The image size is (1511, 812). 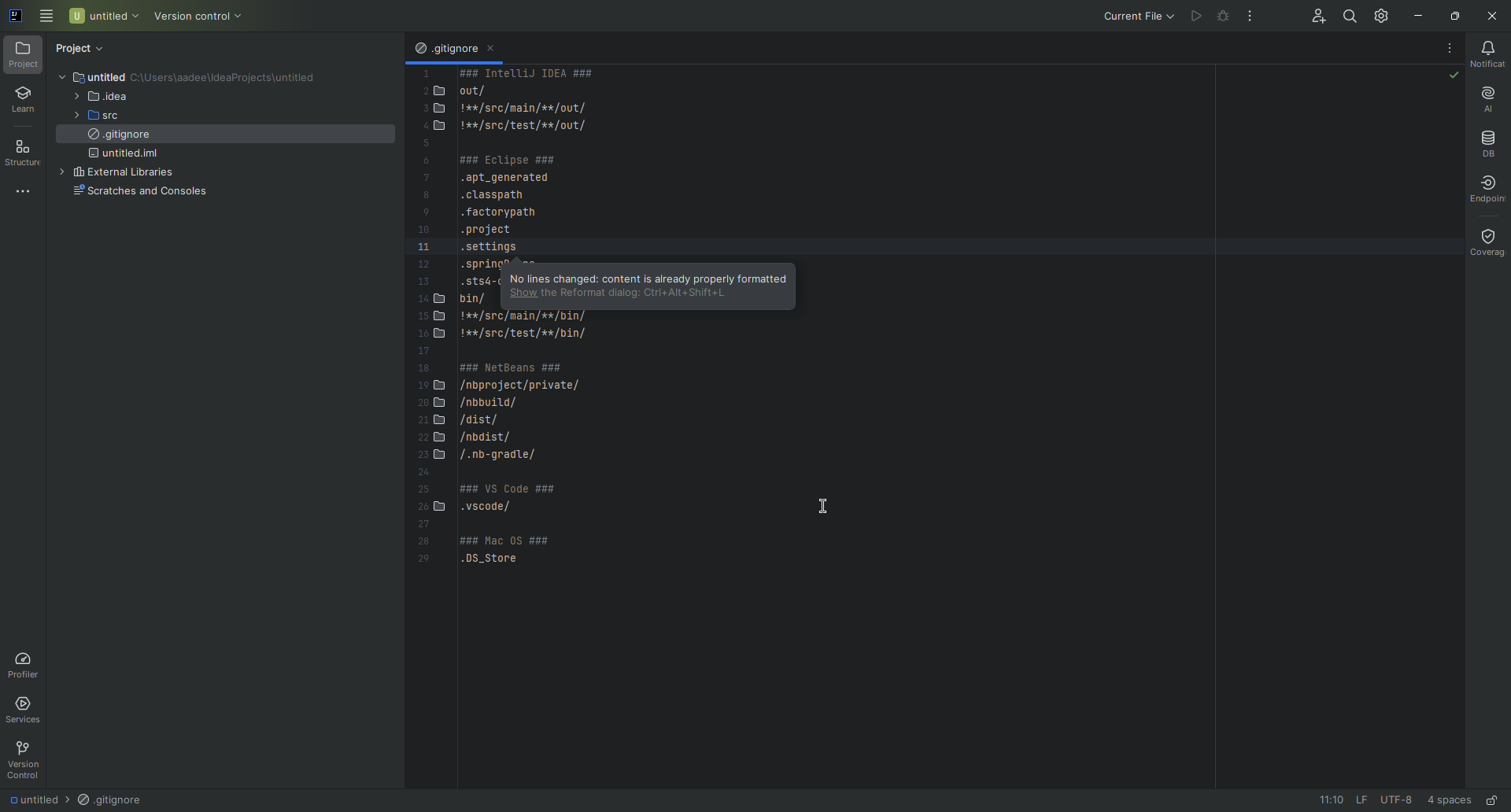 What do you see at coordinates (1324, 800) in the screenshot?
I see `go to line 11:10` at bounding box center [1324, 800].